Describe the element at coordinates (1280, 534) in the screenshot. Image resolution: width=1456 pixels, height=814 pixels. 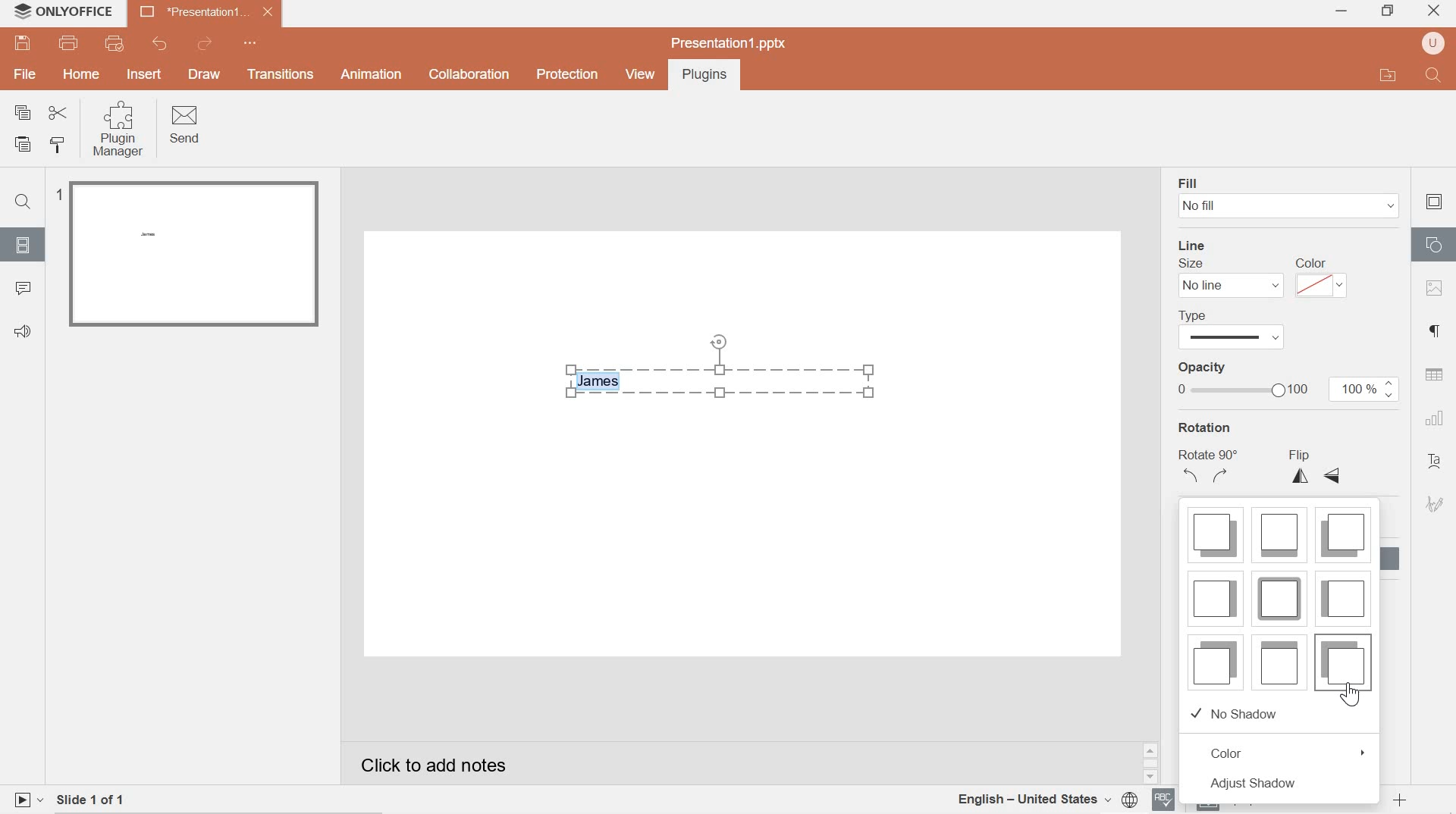
I see `shadow style` at that location.